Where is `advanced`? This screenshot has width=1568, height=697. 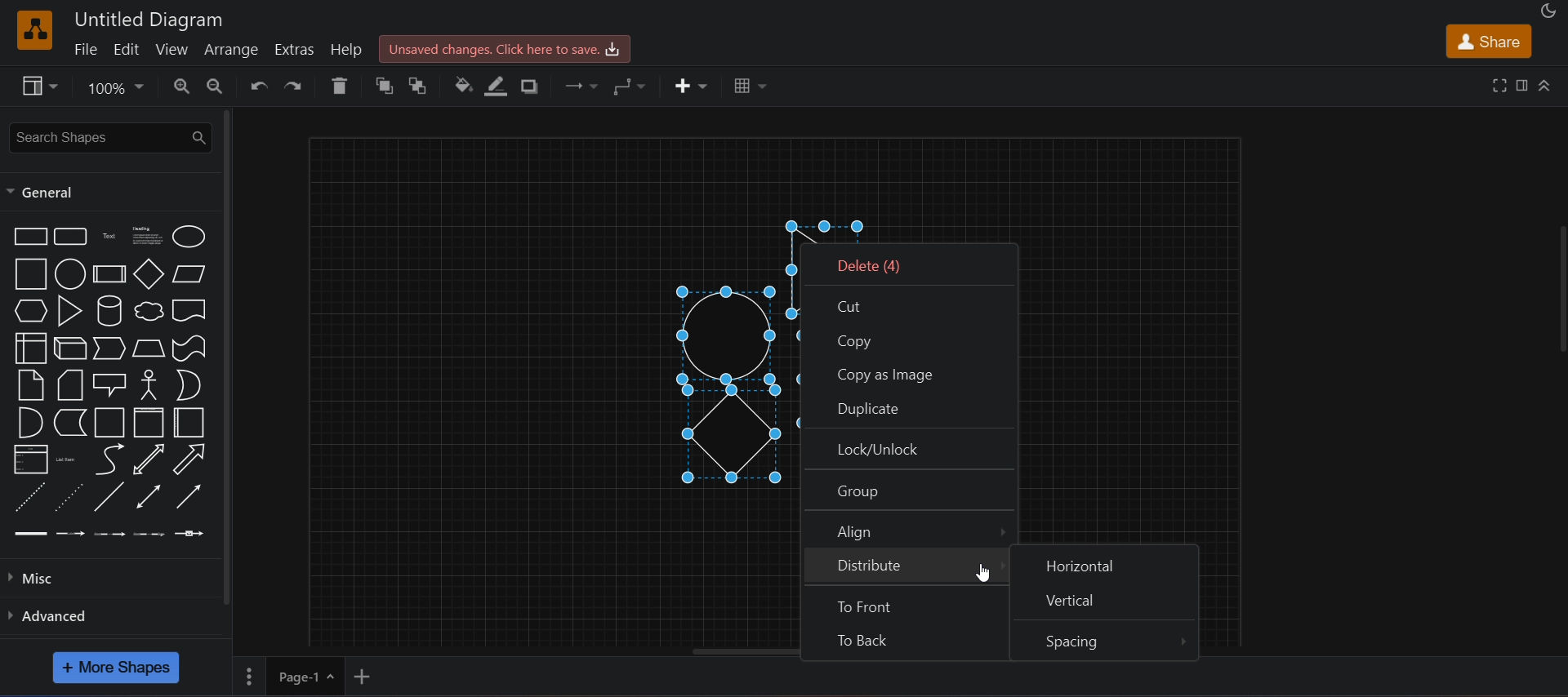
advanced is located at coordinates (62, 615).